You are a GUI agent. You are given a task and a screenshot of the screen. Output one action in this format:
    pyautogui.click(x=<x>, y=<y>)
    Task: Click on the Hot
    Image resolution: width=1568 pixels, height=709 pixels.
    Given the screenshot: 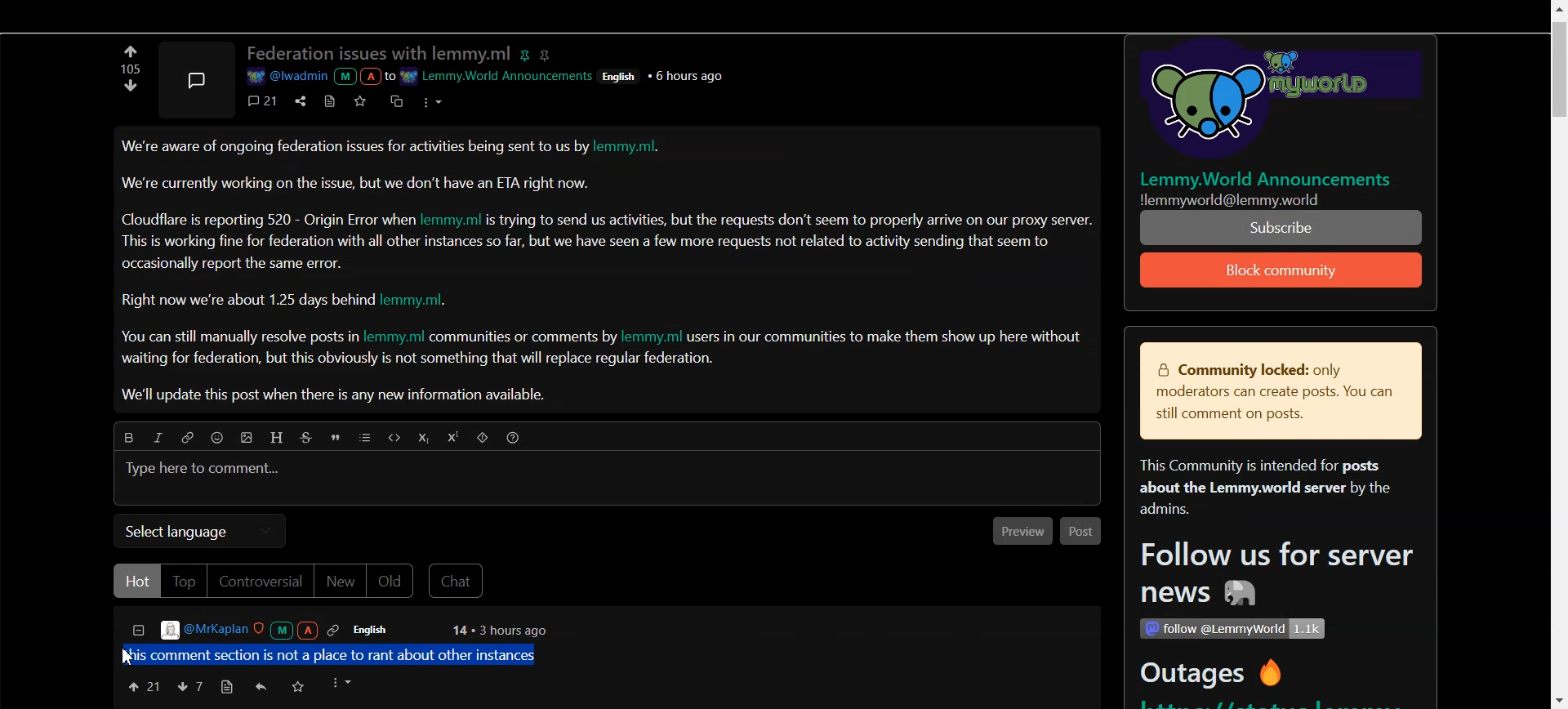 What is the action you would take?
    pyautogui.click(x=136, y=581)
    